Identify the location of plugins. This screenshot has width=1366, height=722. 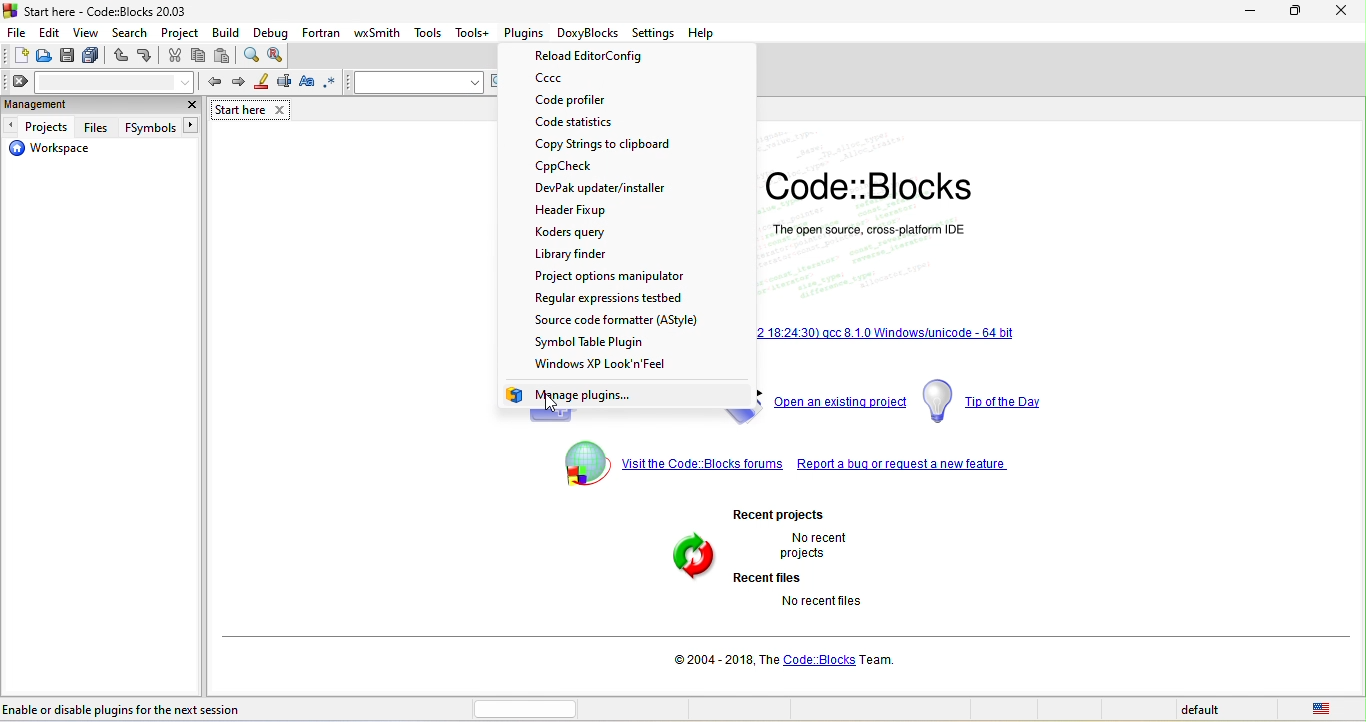
(526, 34).